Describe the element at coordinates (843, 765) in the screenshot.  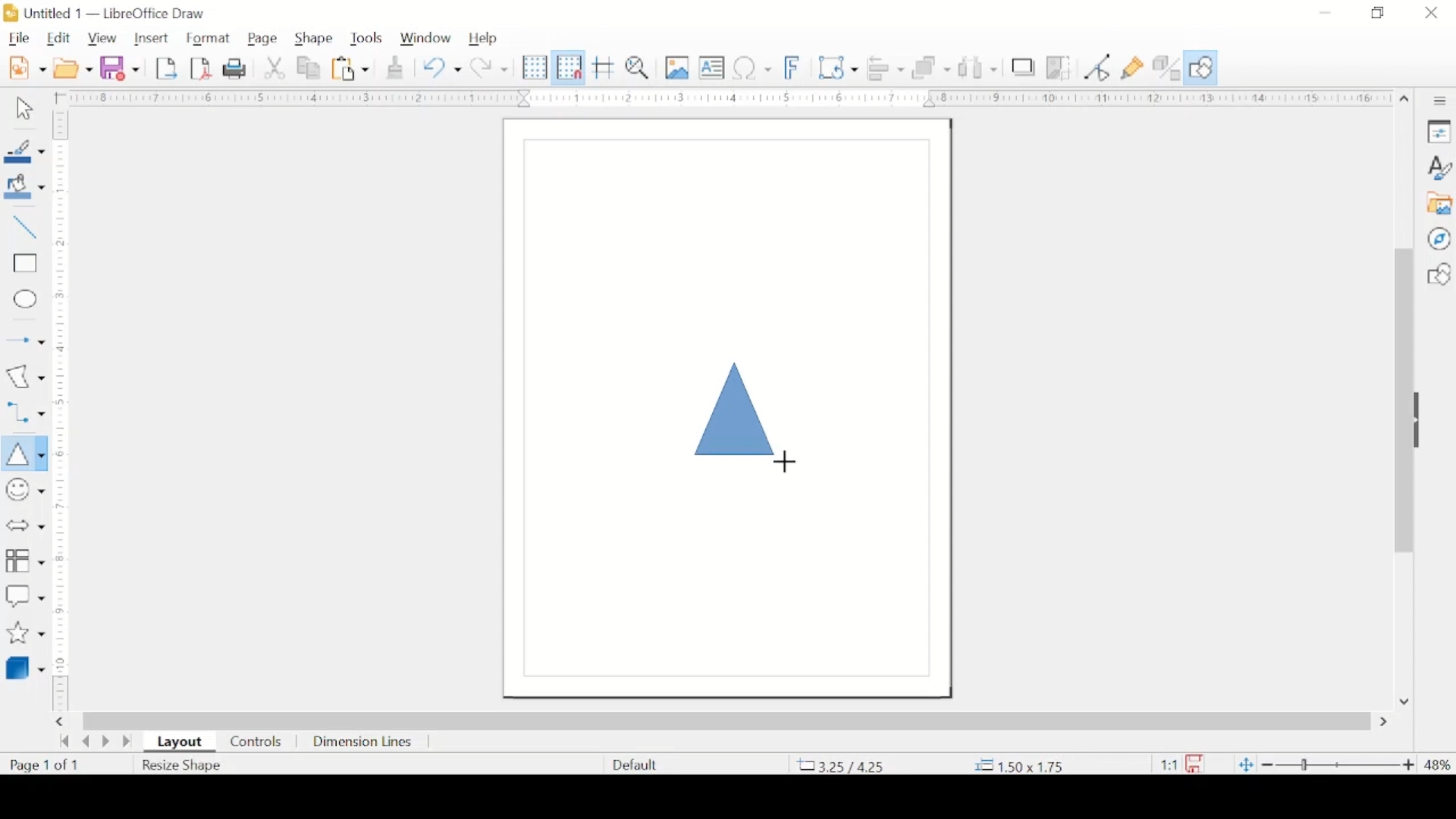
I see `coordinate` at that location.